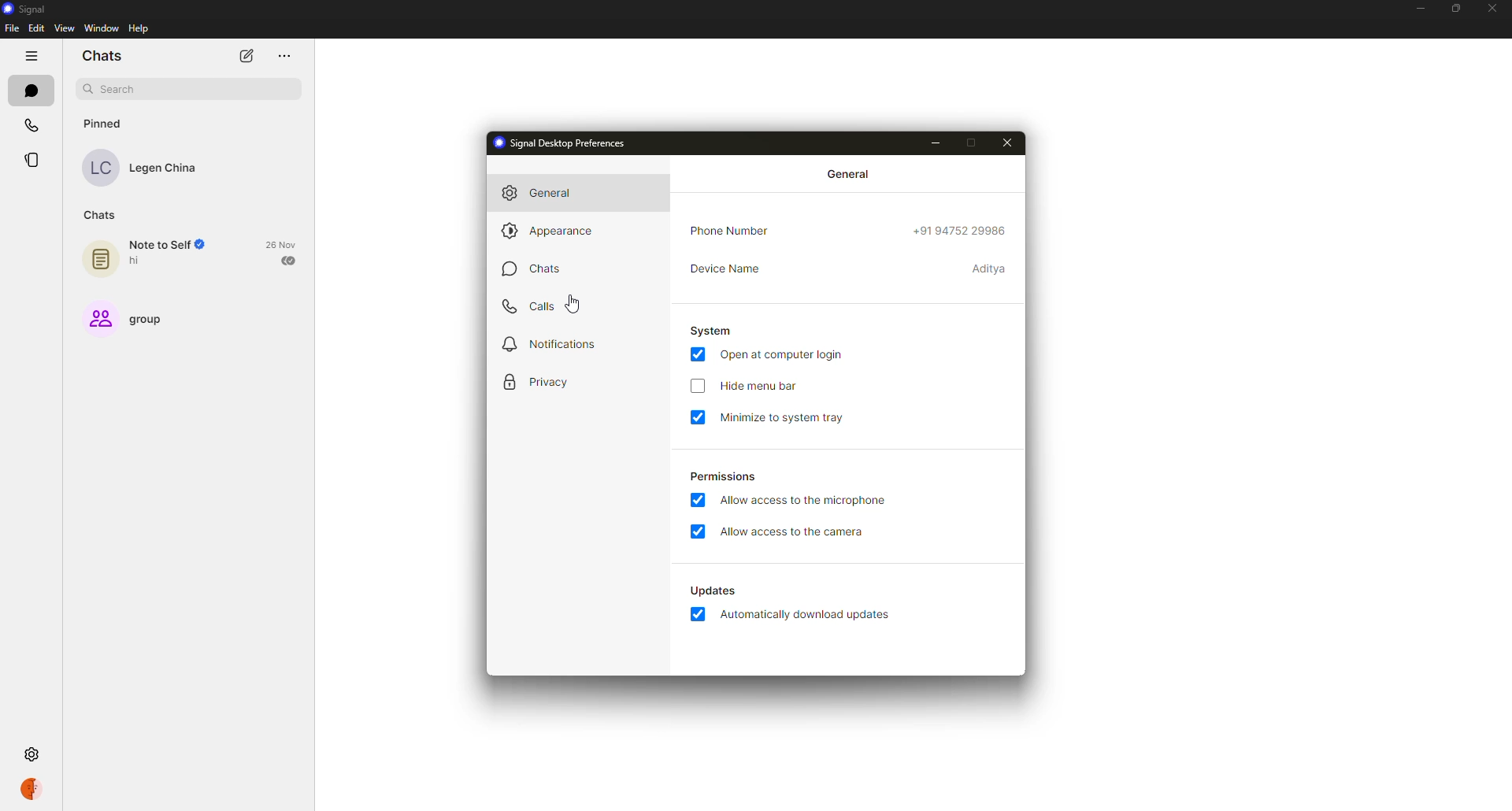 The height and width of the screenshot is (811, 1512). I want to click on click to enable, so click(699, 385).